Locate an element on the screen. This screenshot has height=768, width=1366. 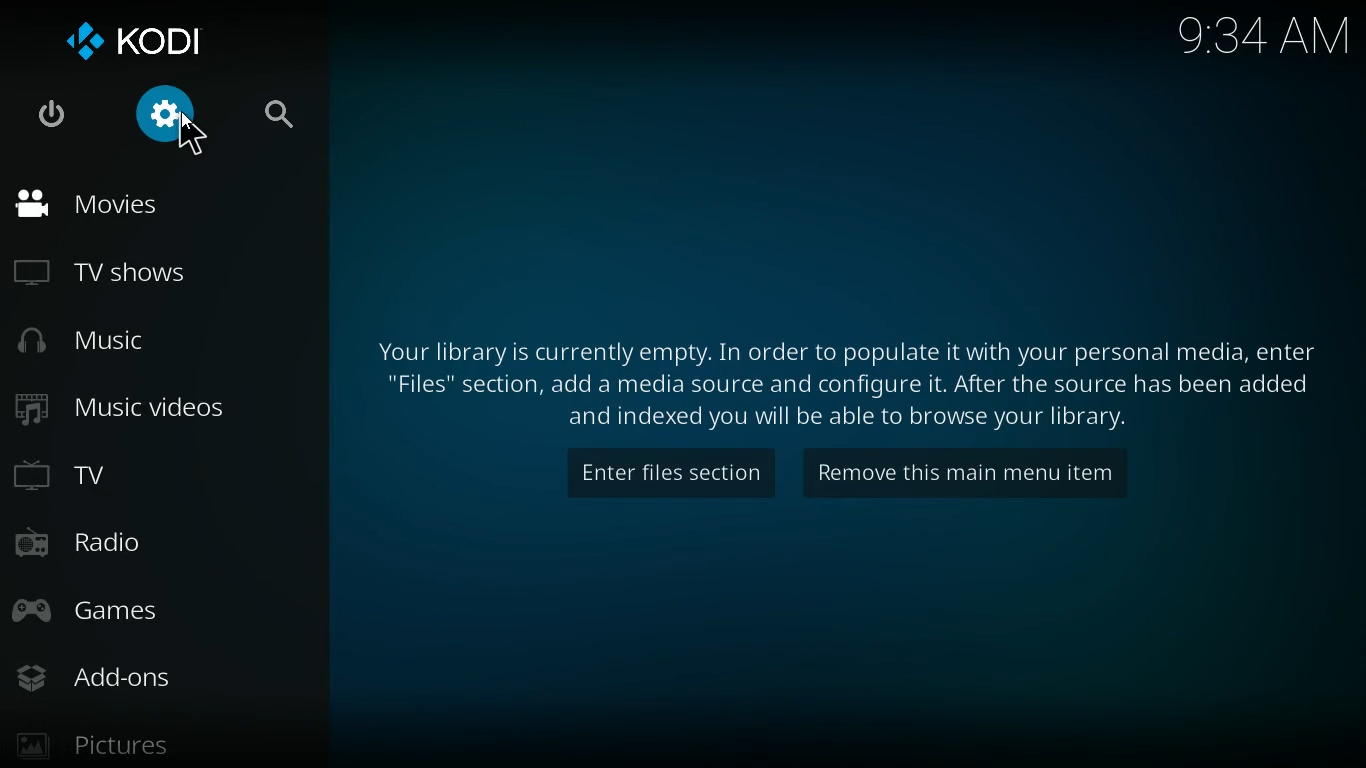
remove this main menu item is located at coordinates (969, 474).